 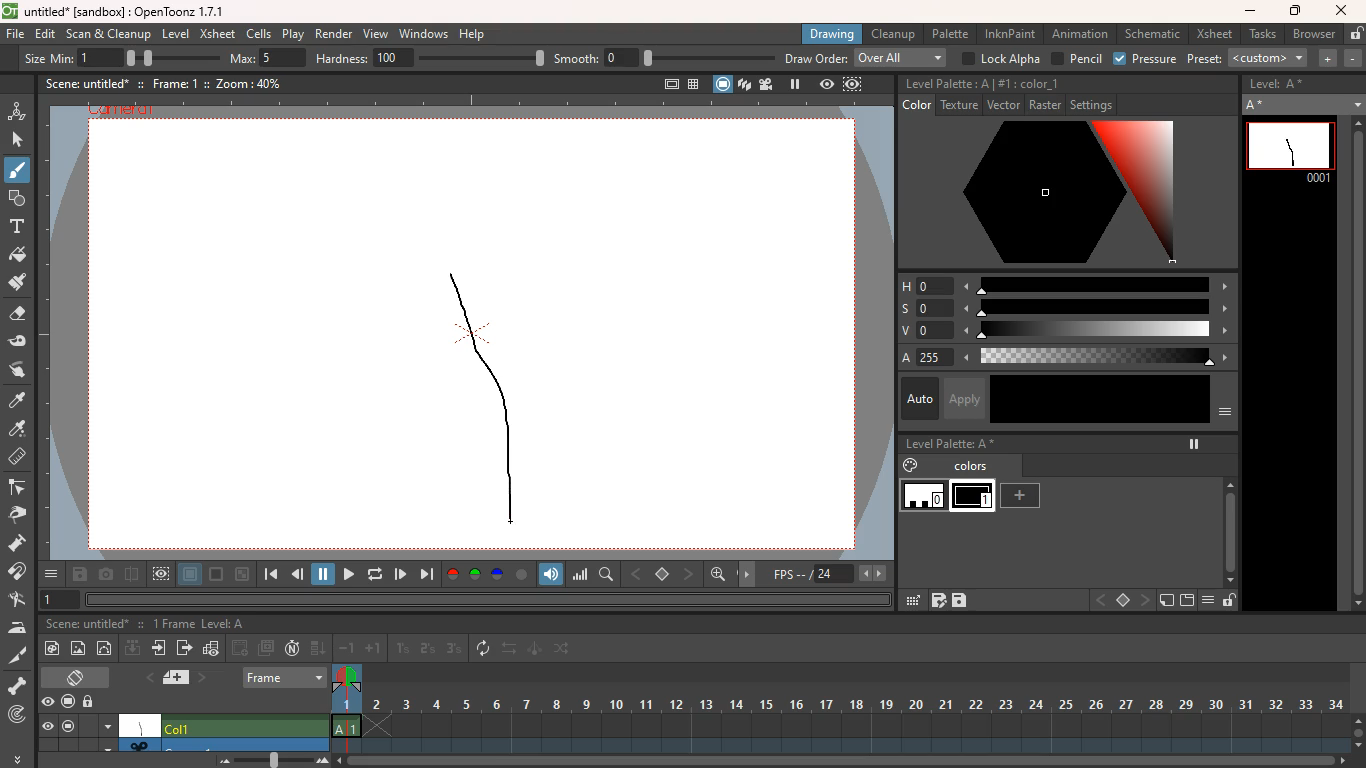 What do you see at coordinates (1080, 34) in the screenshot?
I see `animation` at bounding box center [1080, 34].